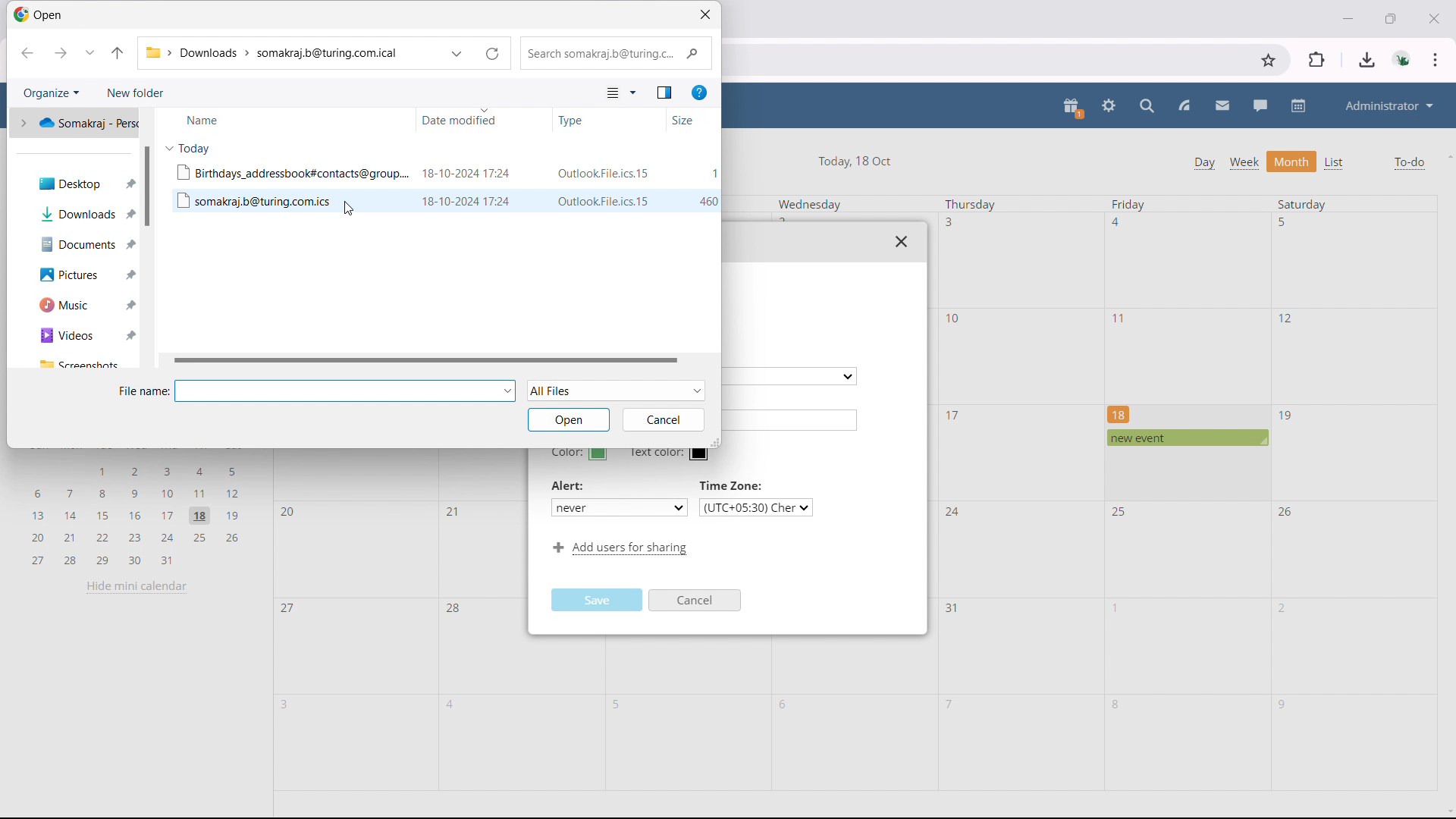  What do you see at coordinates (1109, 107) in the screenshot?
I see `settings` at bounding box center [1109, 107].